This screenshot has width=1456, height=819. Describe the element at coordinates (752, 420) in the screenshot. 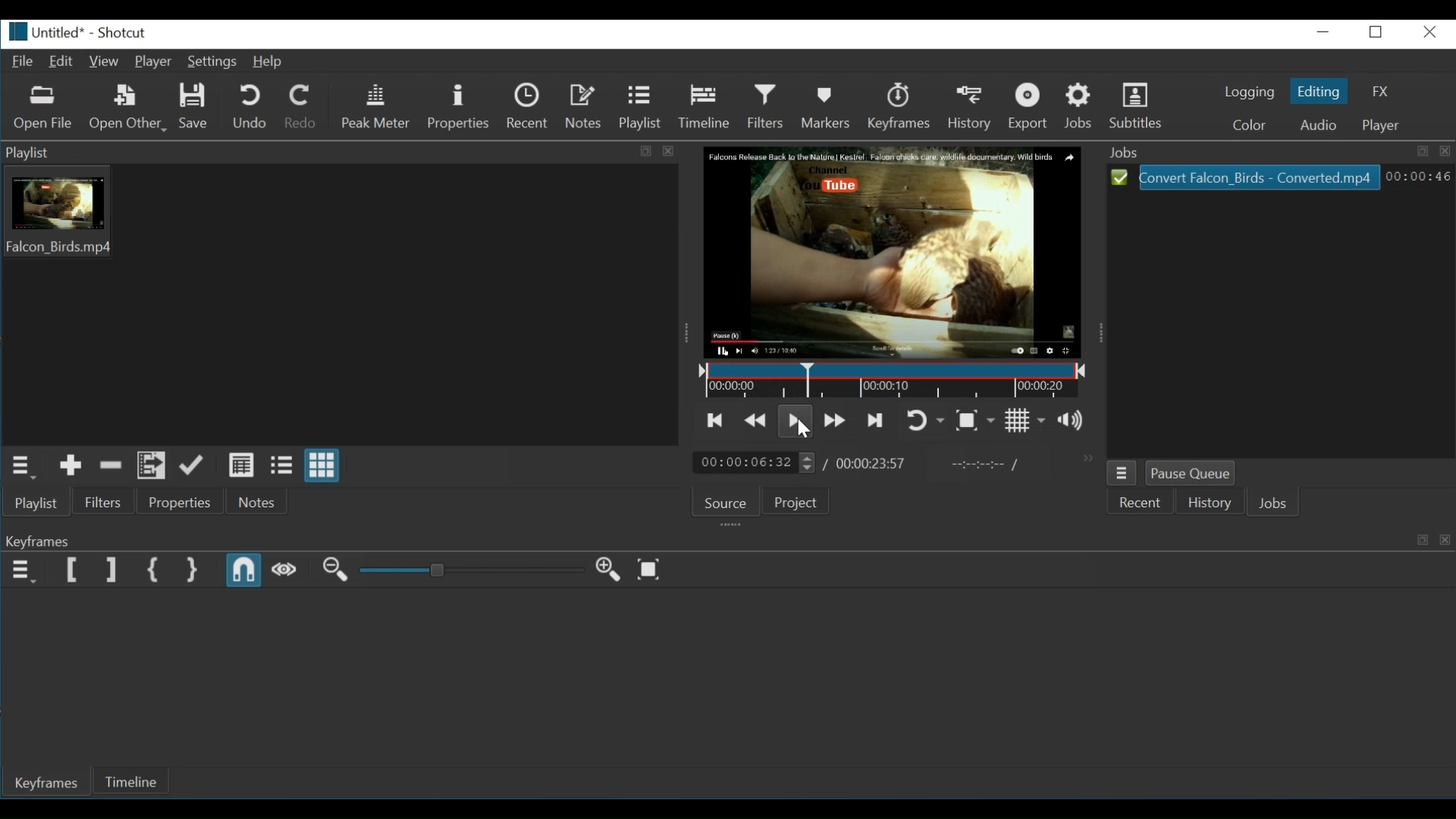

I see `Play quickly backwards` at that location.